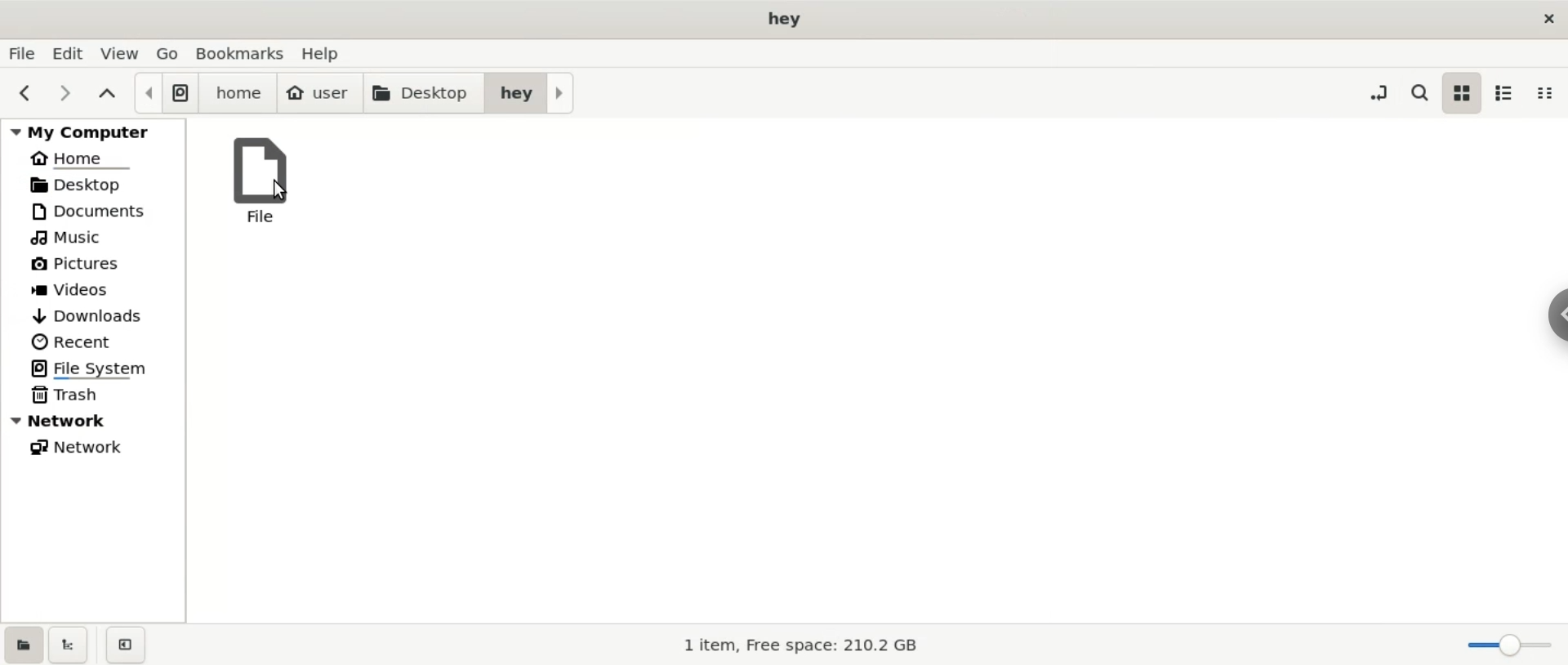 This screenshot has height=665, width=1568. I want to click on user, so click(319, 94).